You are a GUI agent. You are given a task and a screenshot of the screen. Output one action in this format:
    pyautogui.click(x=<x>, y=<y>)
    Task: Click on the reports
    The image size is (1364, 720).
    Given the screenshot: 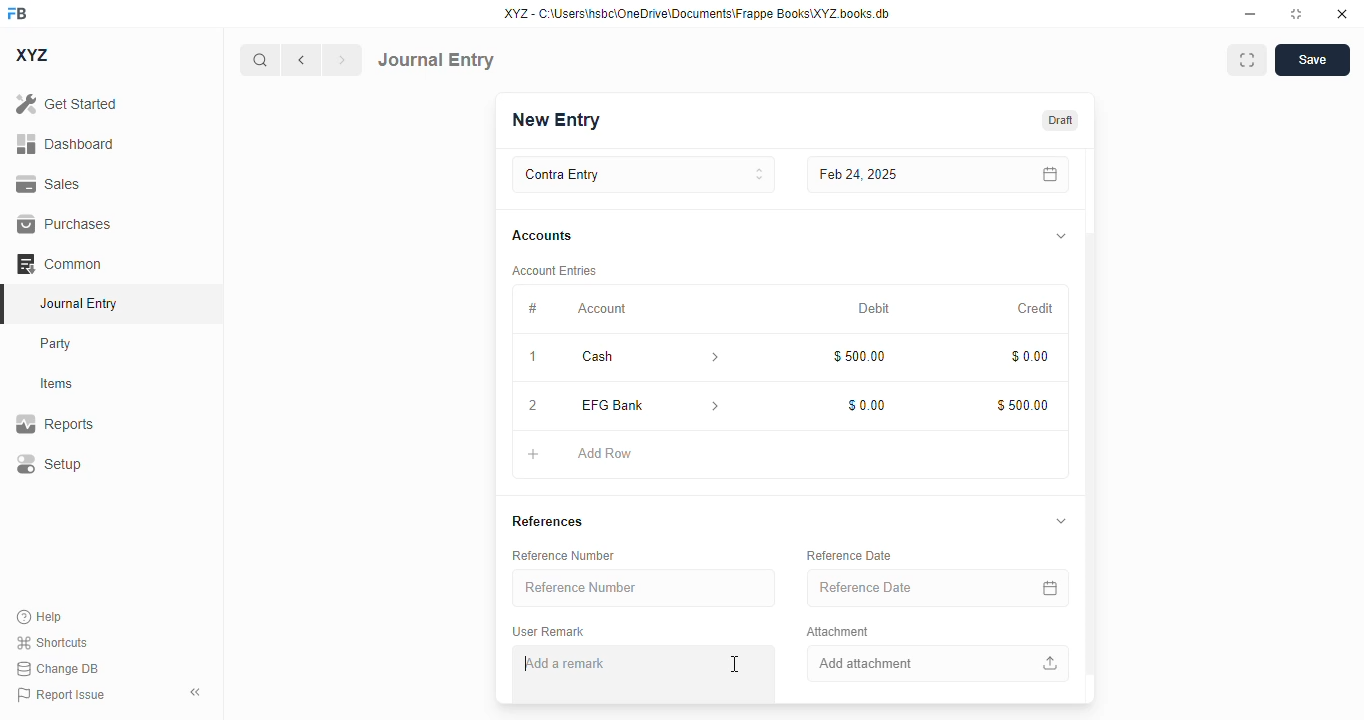 What is the action you would take?
    pyautogui.click(x=55, y=423)
    